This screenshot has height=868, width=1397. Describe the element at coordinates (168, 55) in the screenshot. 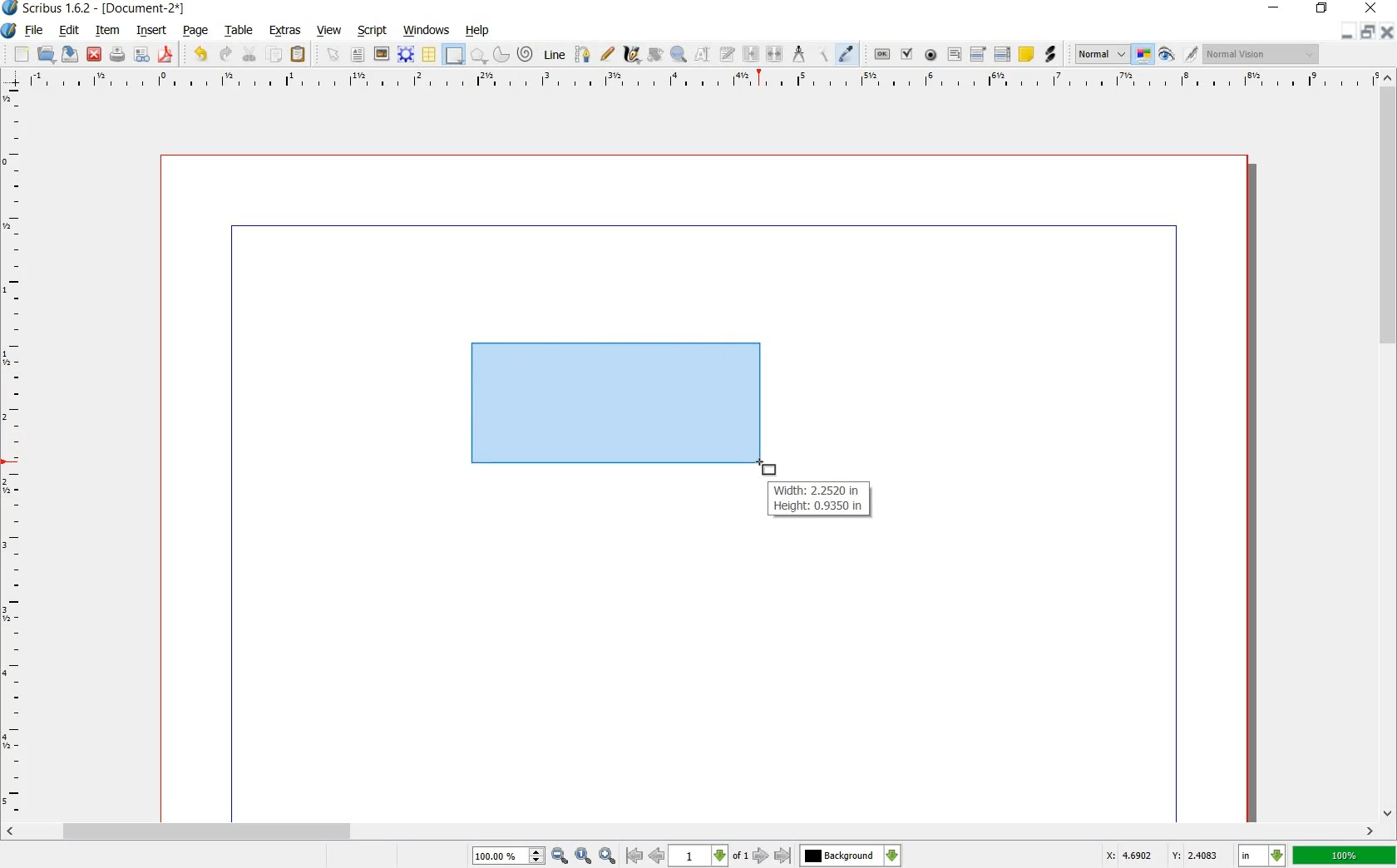

I see `SAVE AS PDF` at that location.